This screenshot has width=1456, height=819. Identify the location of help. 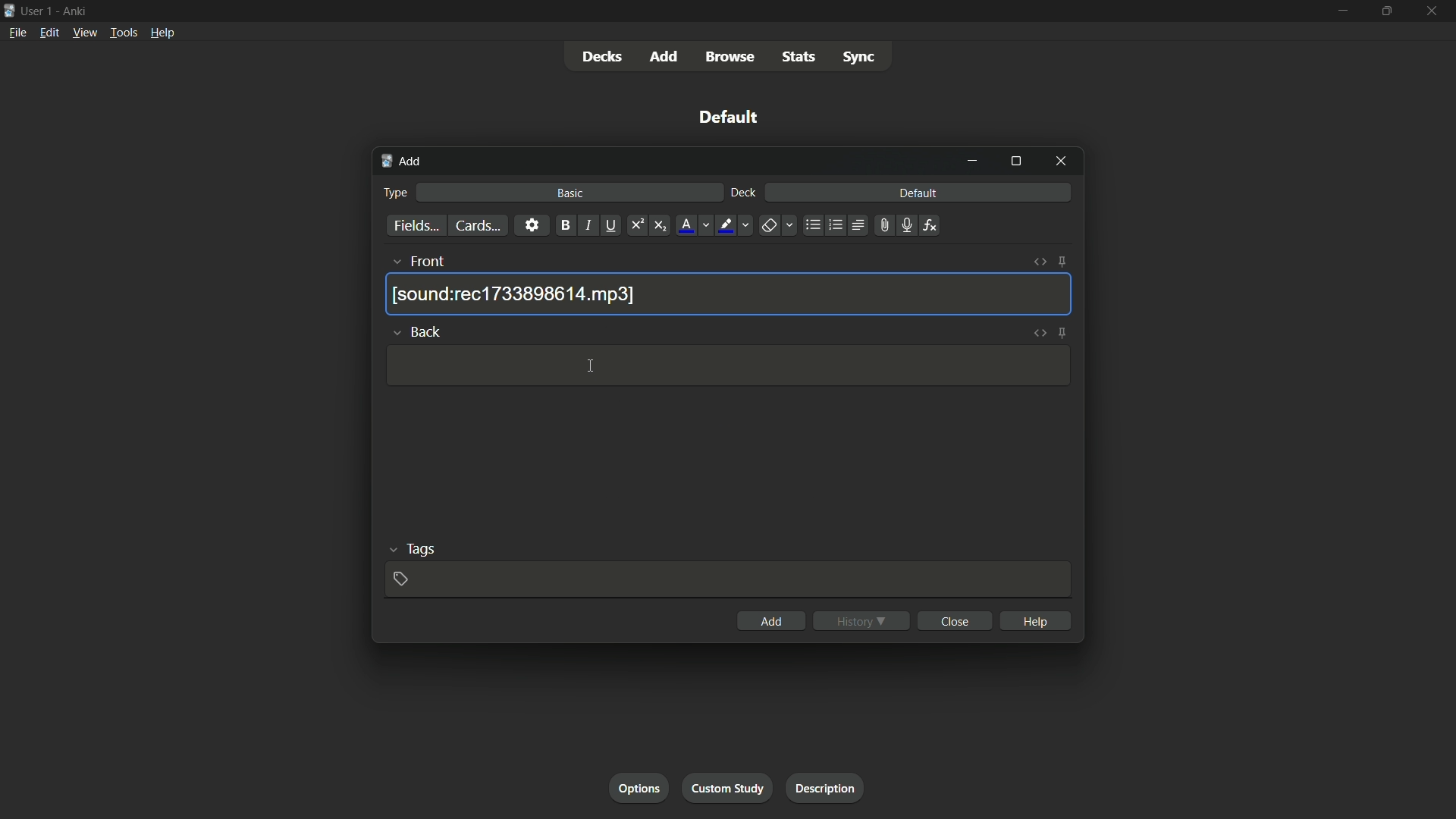
(1035, 620).